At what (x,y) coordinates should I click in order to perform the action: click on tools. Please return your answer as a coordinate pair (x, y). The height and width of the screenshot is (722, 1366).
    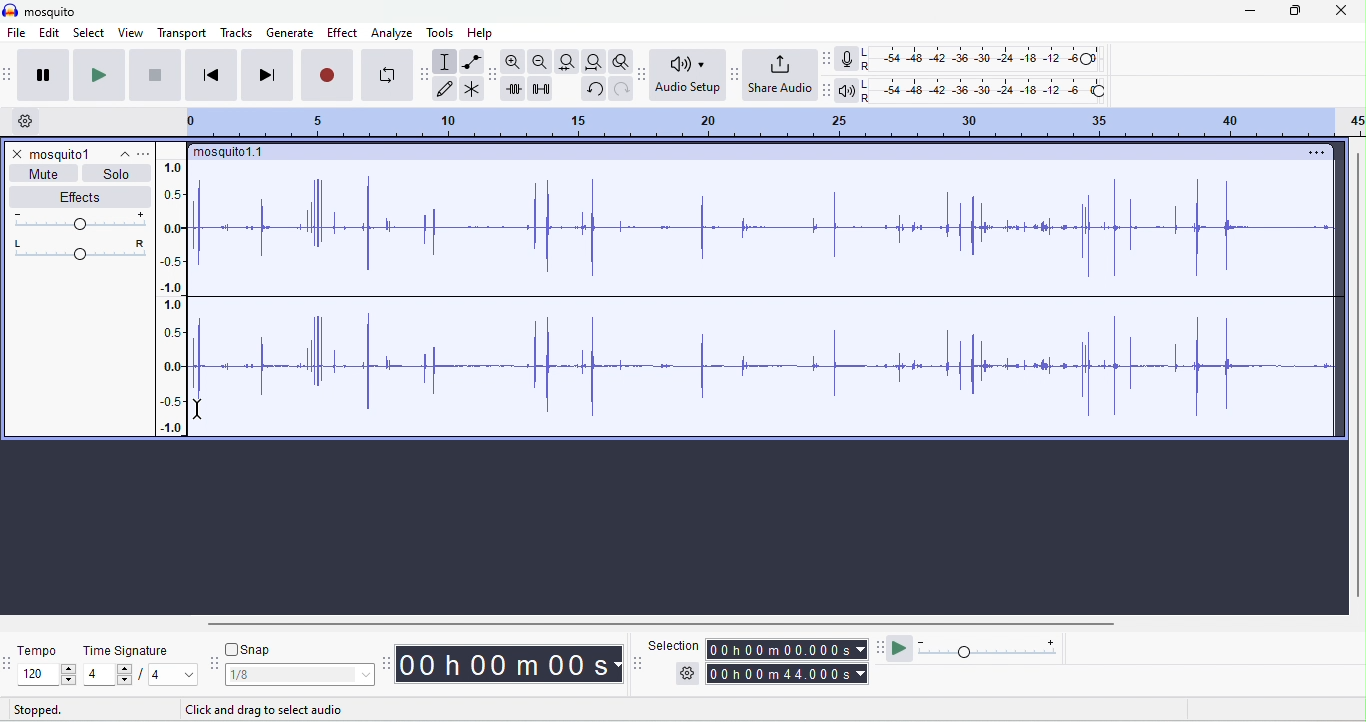
    Looking at the image, I should click on (441, 32).